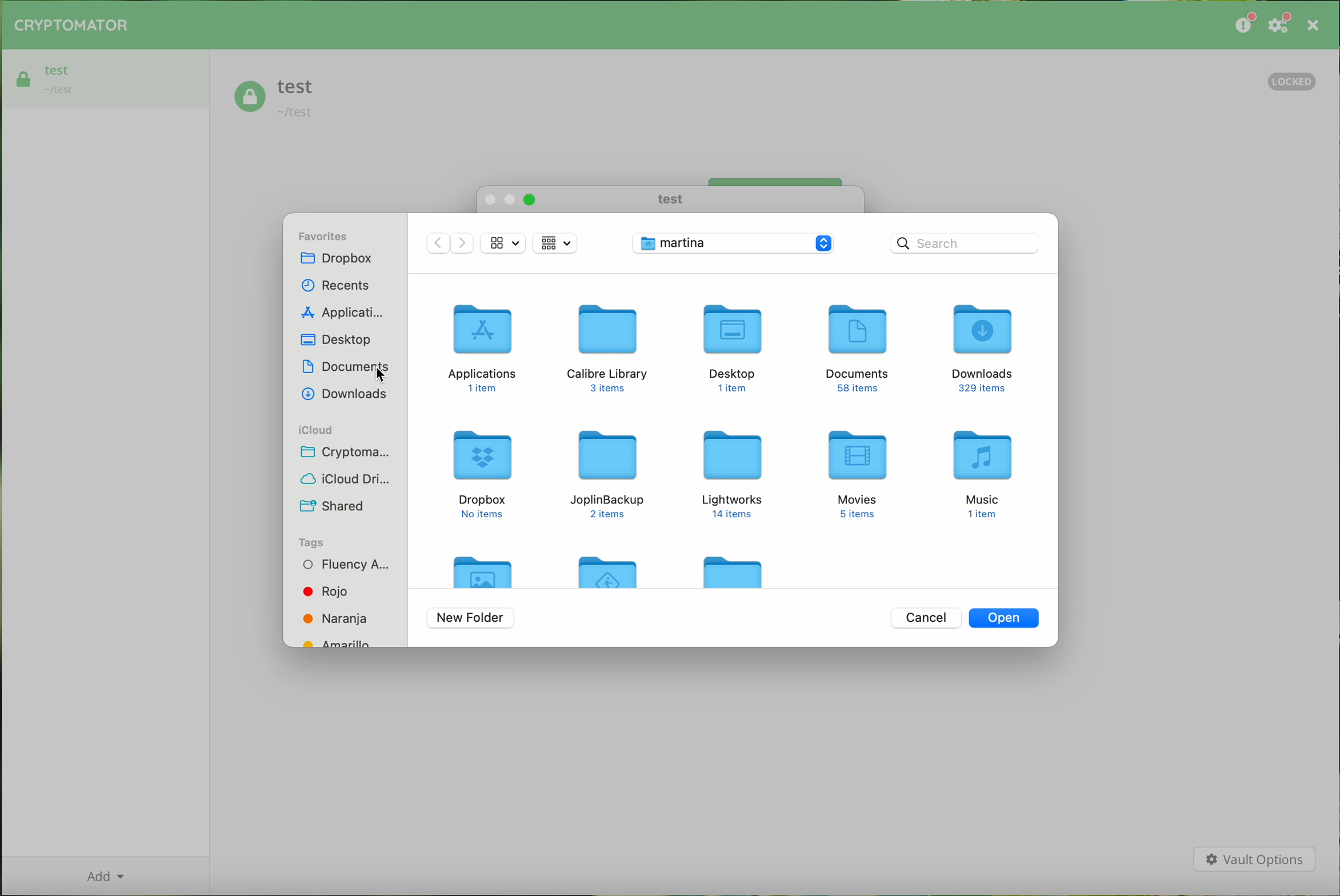 The width and height of the screenshot is (1340, 896). What do you see at coordinates (383, 377) in the screenshot?
I see `cursor` at bounding box center [383, 377].